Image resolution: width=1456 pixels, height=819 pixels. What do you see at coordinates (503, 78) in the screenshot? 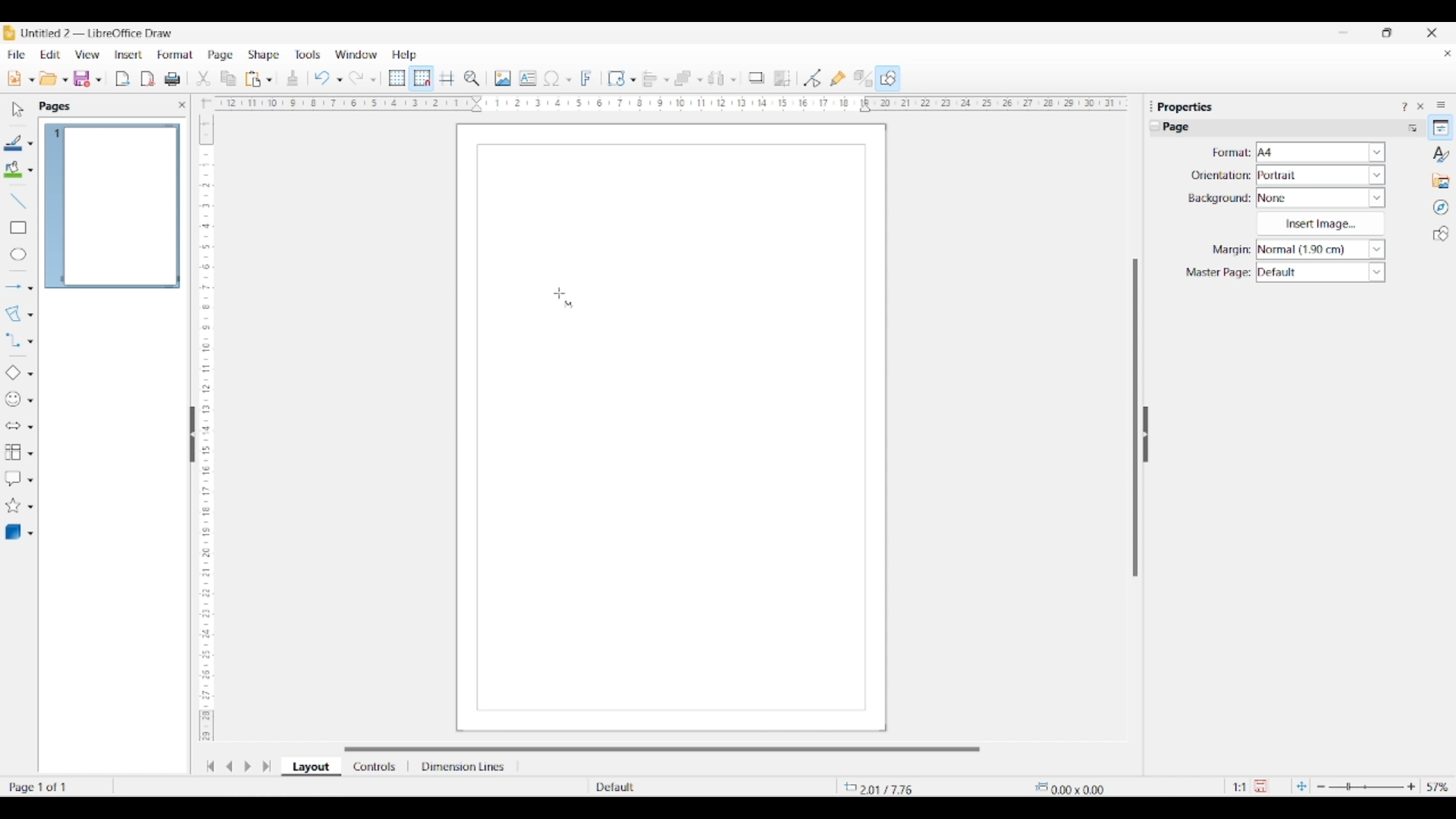
I see `Insert image` at bounding box center [503, 78].